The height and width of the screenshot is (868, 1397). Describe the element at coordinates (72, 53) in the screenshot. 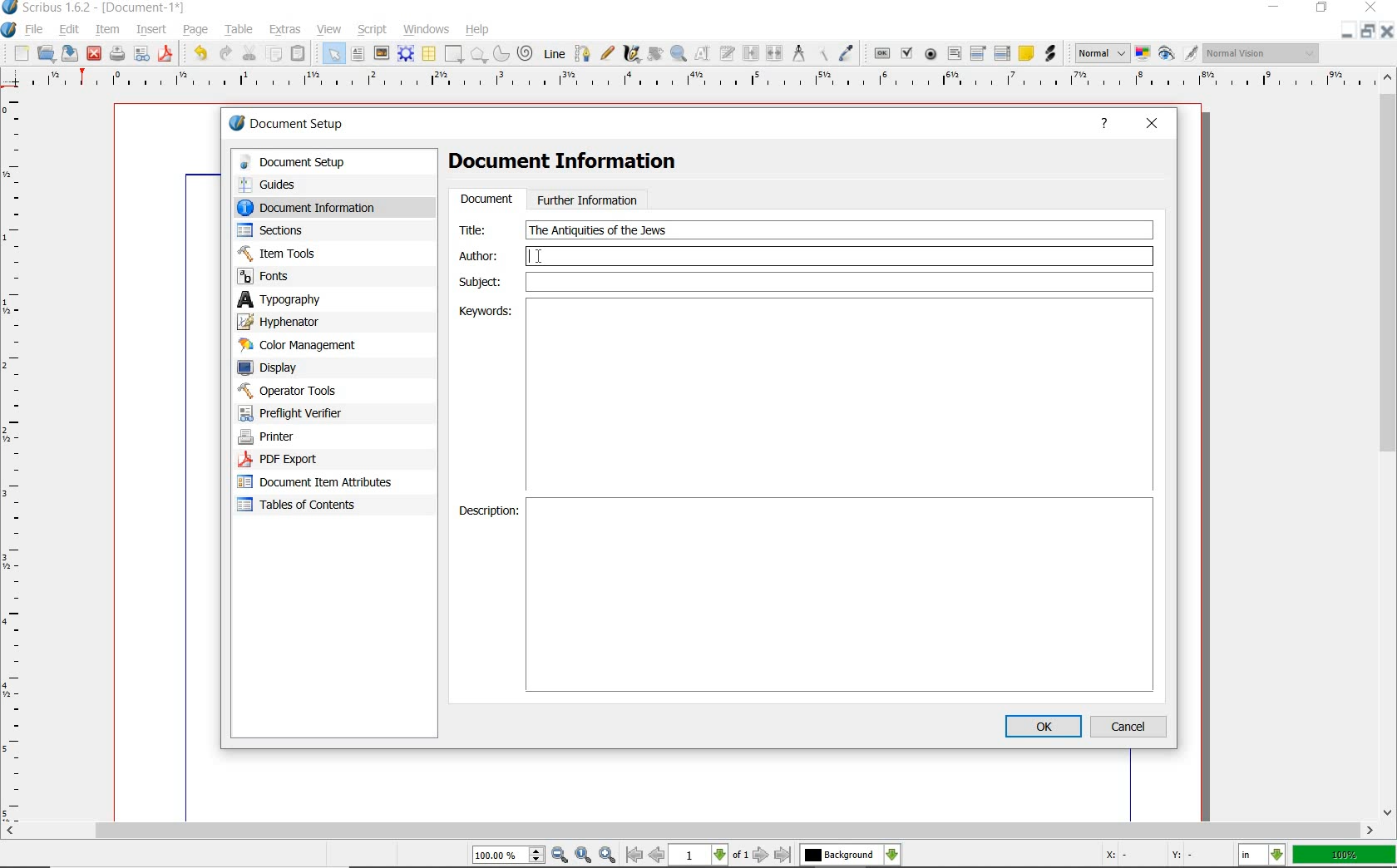

I see `save` at that location.